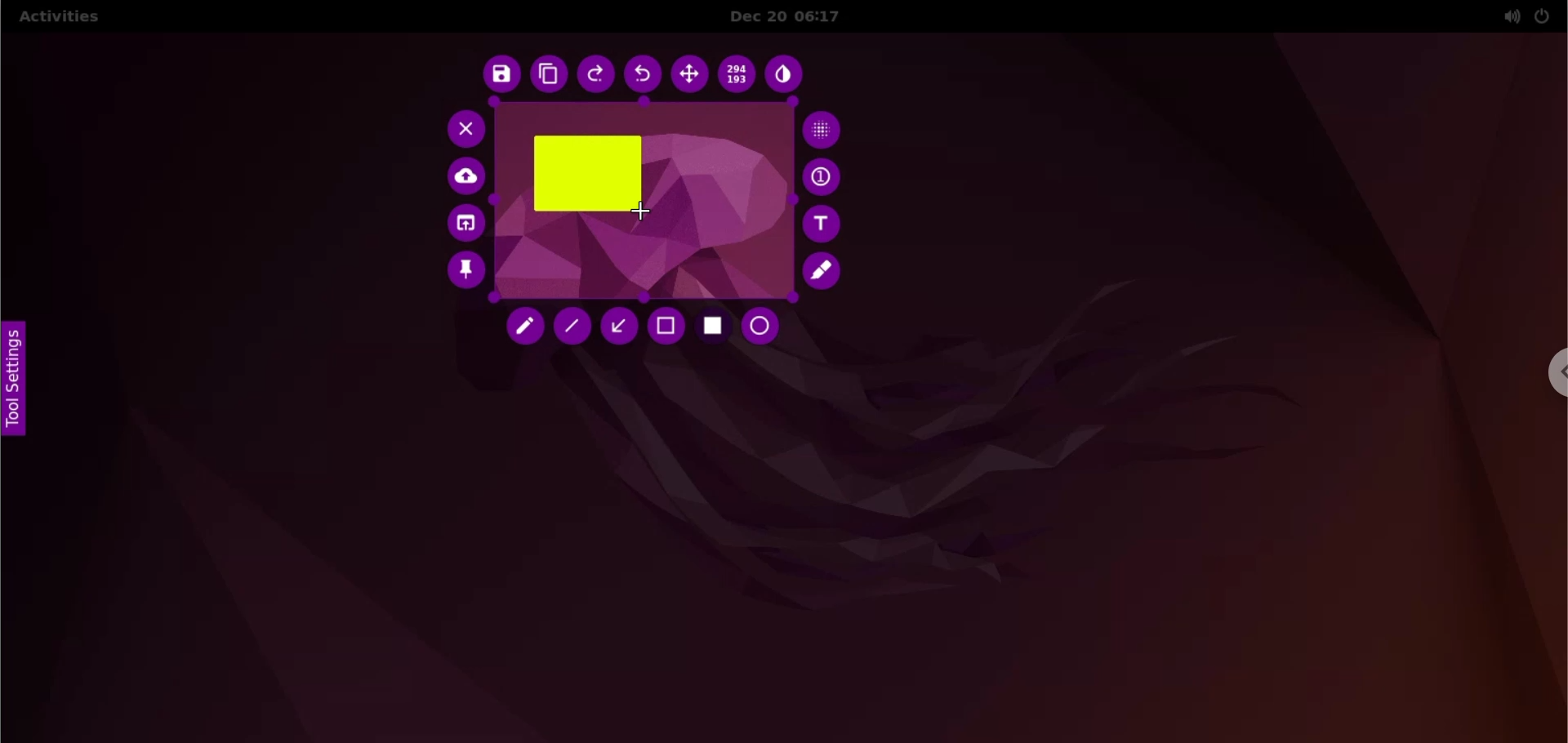 Image resolution: width=1568 pixels, height=743 pixels. Describe the element at coordinates (498, 75) in the screenshot. I see `save` at that location.